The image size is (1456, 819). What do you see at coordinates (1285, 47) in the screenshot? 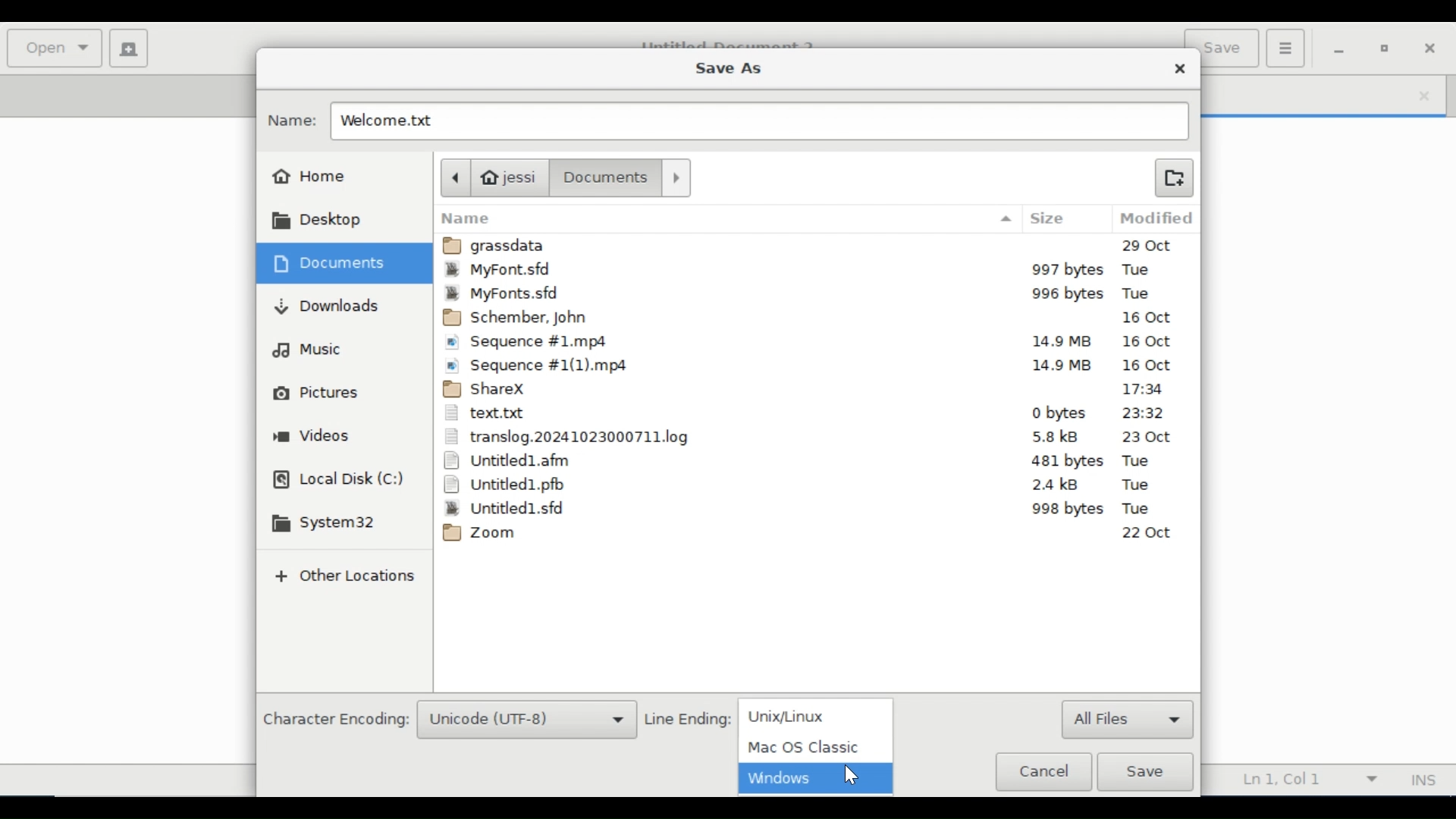
I see `Application menu` at bounding box center [1285, 47].